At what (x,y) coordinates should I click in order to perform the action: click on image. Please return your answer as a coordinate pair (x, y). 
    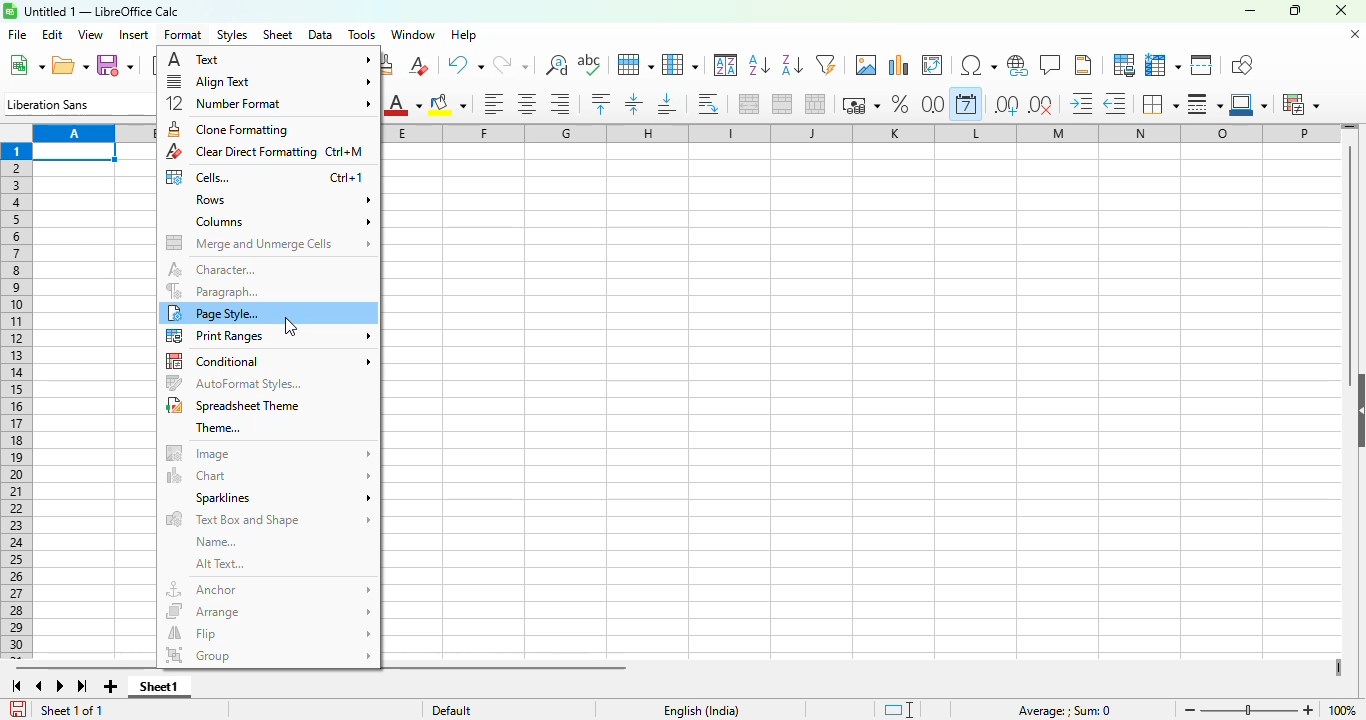
    Looking at the image, I should click on (269, 453).